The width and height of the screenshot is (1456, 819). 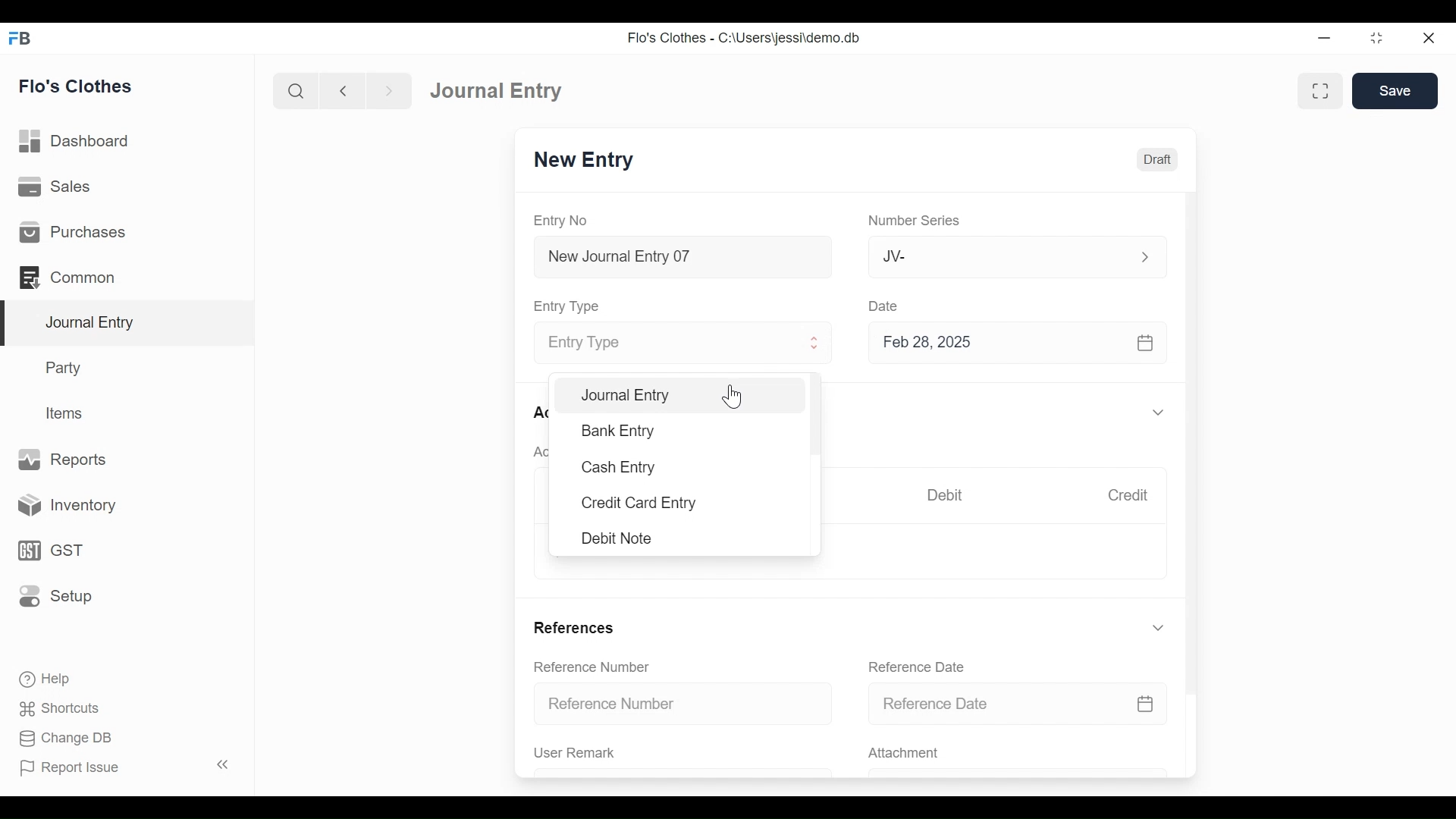 What do you see at coordinates (20, 39) in the screenshot?
I see `Frappe Books Desktop Icon` at bounding box center [20, 39].